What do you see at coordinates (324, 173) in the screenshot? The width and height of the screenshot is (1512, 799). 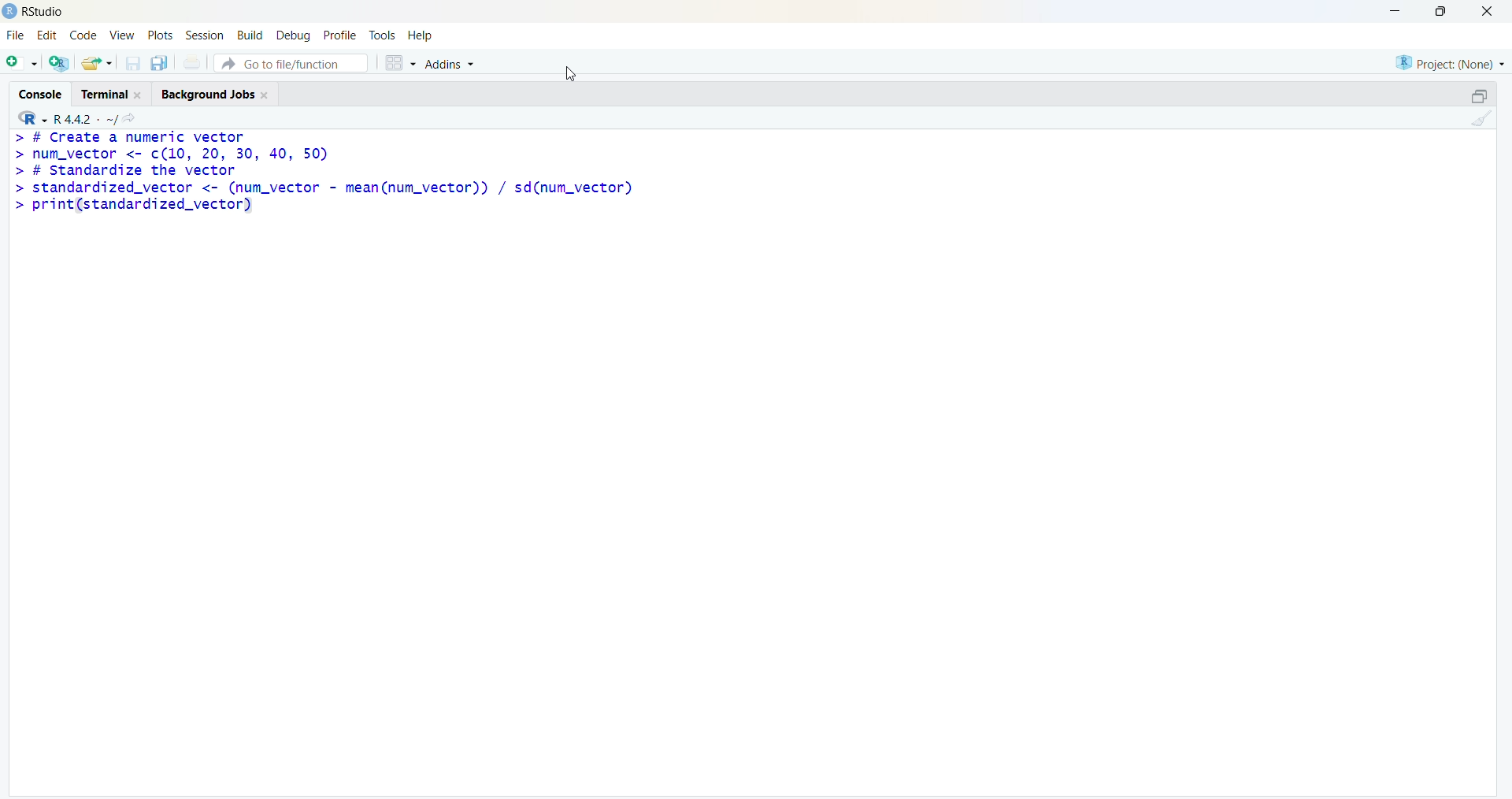 I see `> # Create a numeric vector

> num_vector <- c(10, 20, 30, 40, 50)

> # standardize the vector

> standardized_vector <- (num_vector - mean(num_vector)) / sd(num_vector)
> print(standardized_vector)` at bounding box center [324, 173].